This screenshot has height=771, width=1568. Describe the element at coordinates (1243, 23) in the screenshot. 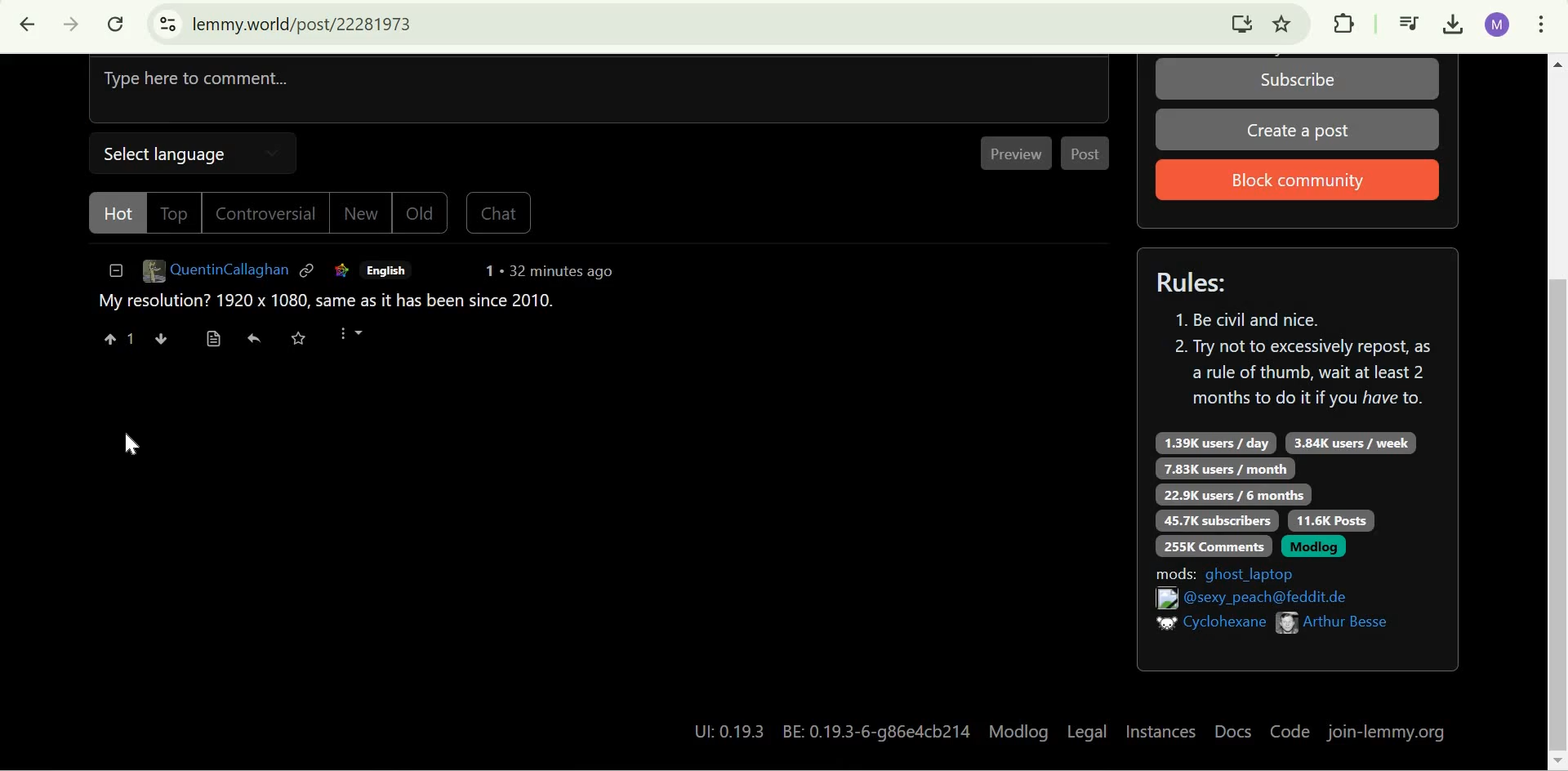

I see `Install Lemmy.World` at that location.